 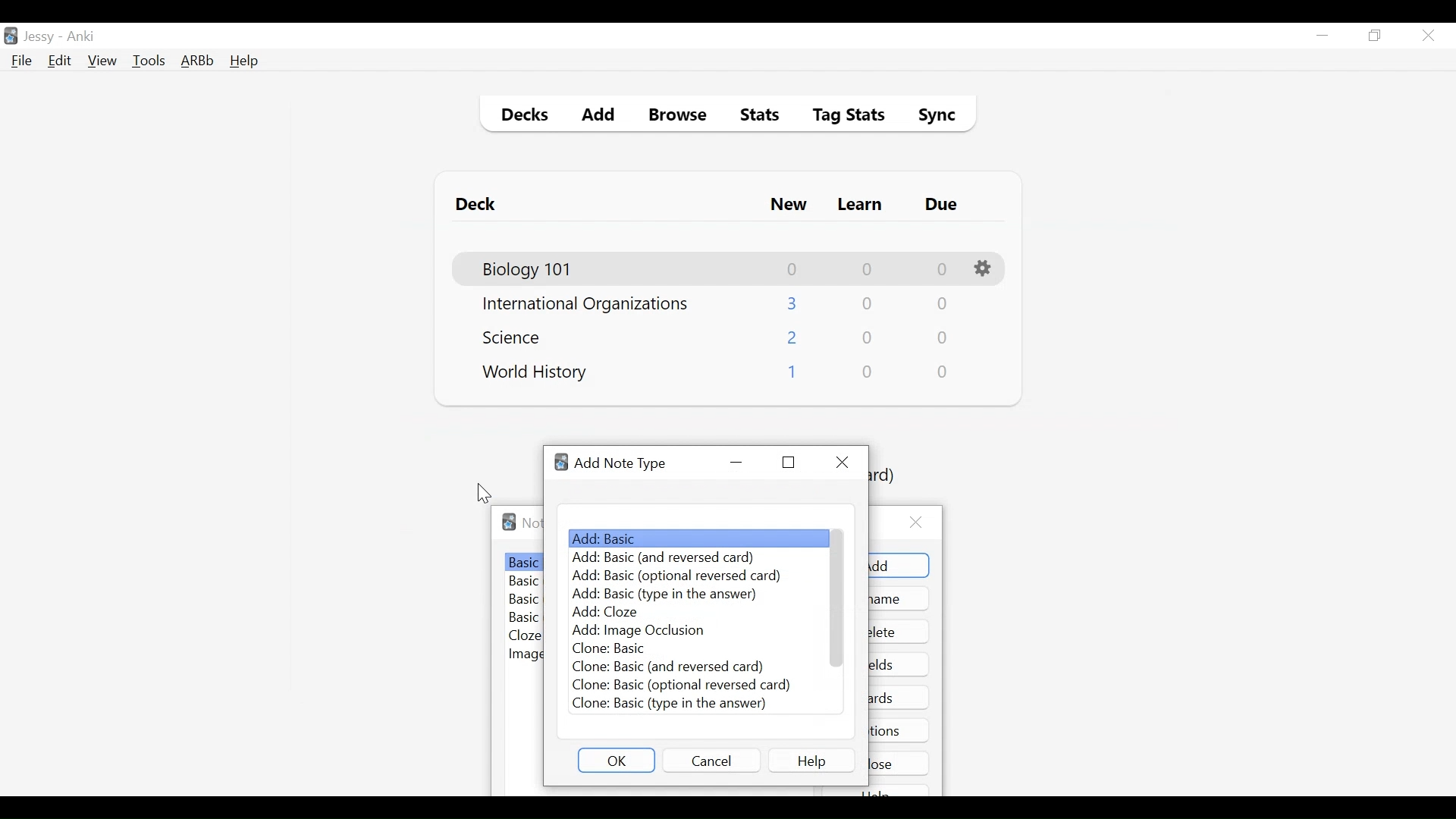 What do you see at coordinates (866, 304) in the screenshot?
I see `Learn Card Count` at bounding box center [866, 304].